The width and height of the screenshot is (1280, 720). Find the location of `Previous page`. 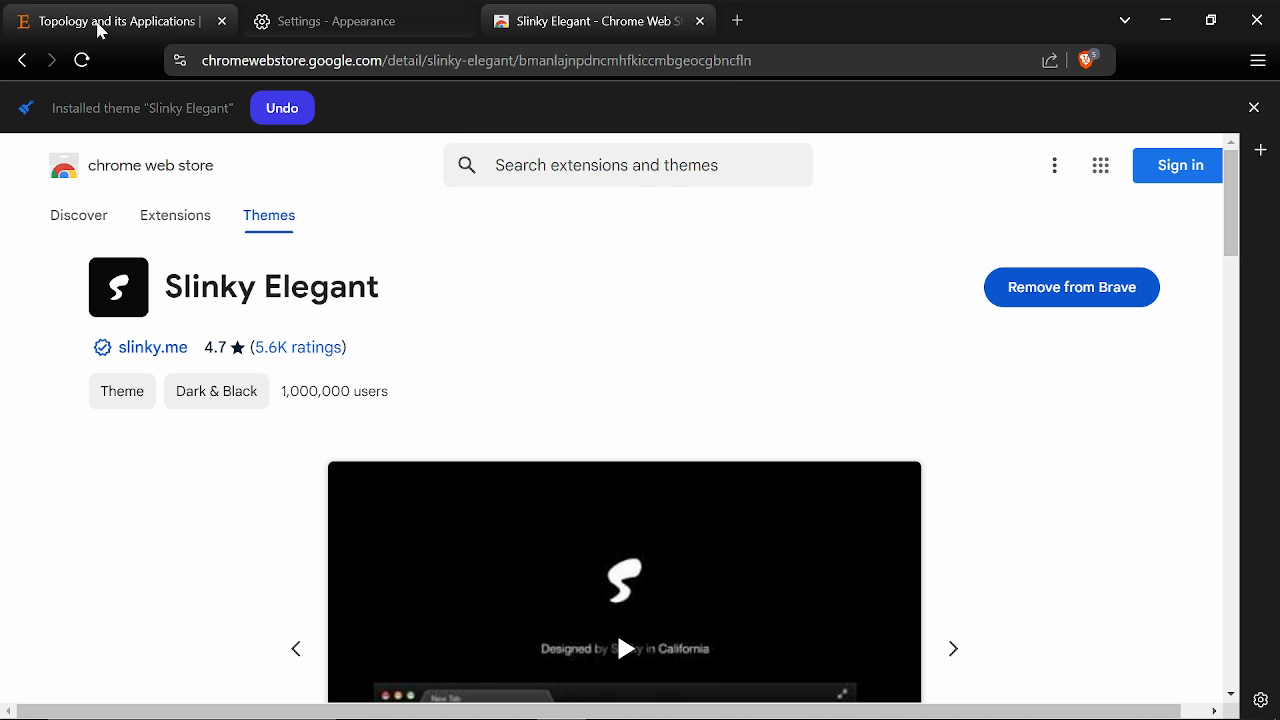

Previous page is located at coordinates (22, 62).